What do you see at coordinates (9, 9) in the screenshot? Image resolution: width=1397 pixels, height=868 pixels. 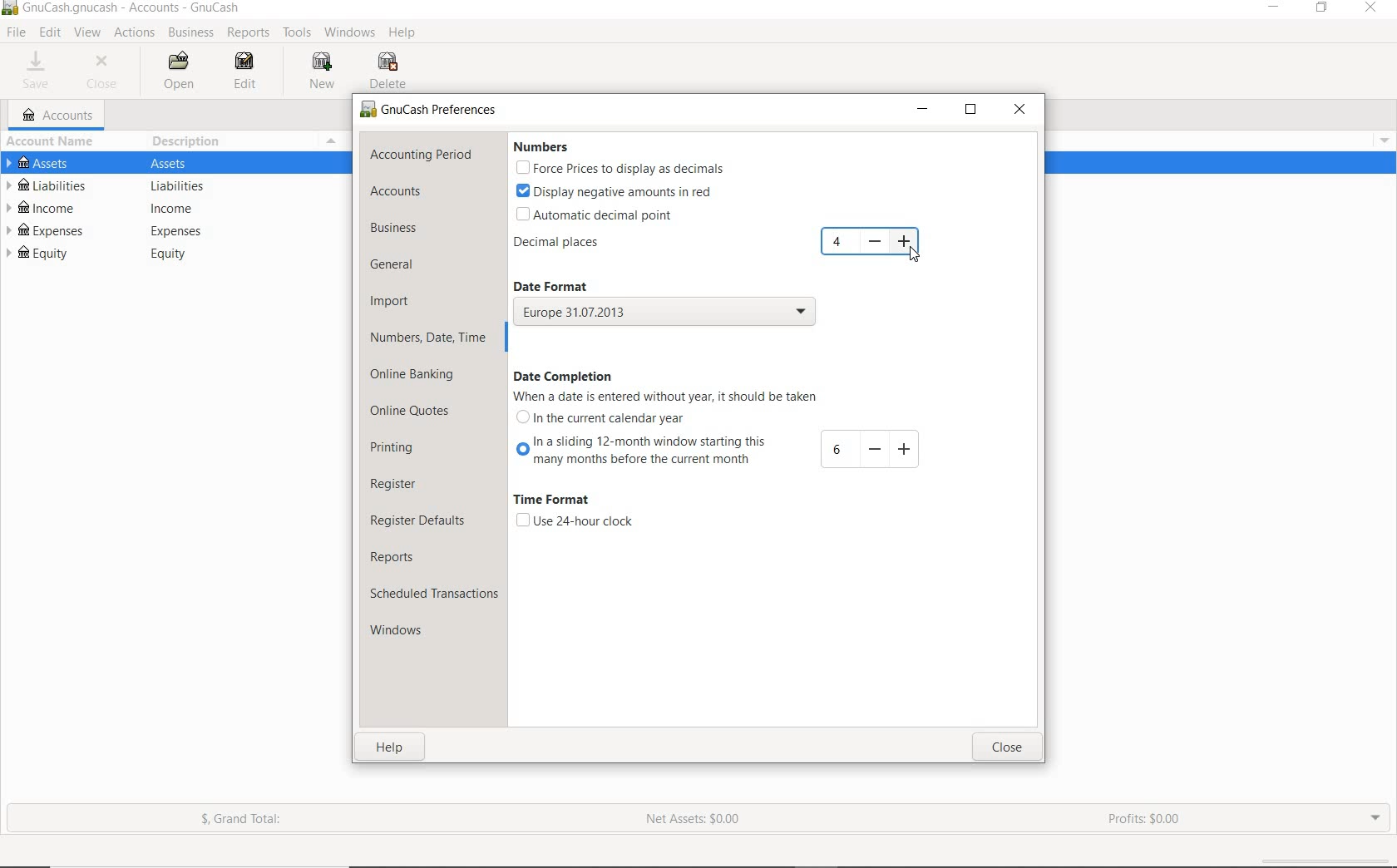 I see `SYSTEM NAME` at bounding box center [9, 9].